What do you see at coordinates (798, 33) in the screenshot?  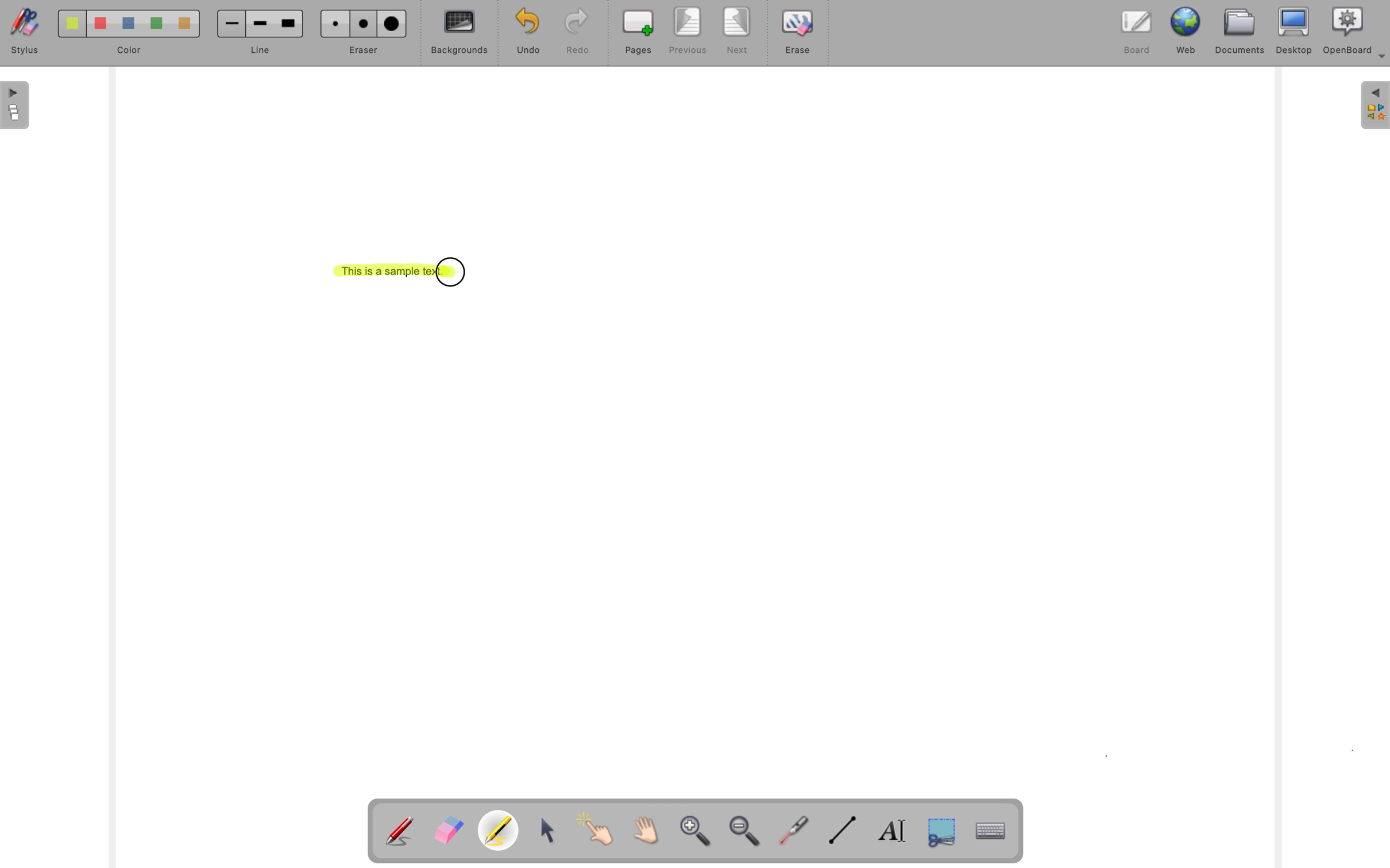 I see `erase` at bounding box center [798, 33].